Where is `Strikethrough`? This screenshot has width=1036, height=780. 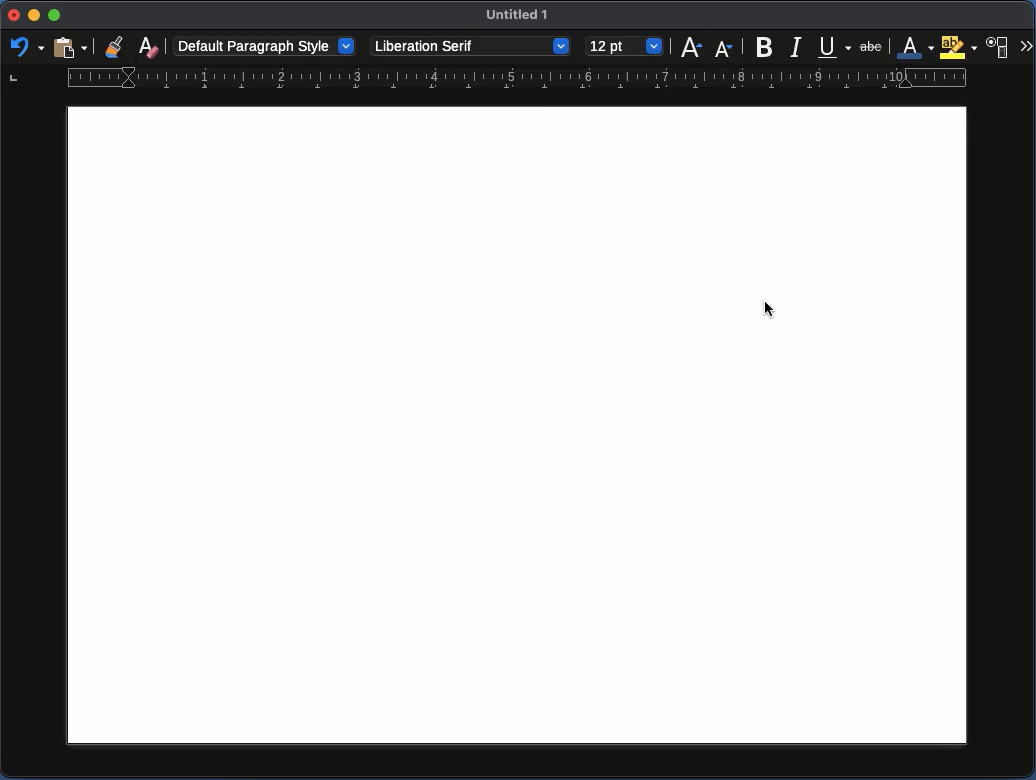
Strikethrough is located at coordinates (873, 45).